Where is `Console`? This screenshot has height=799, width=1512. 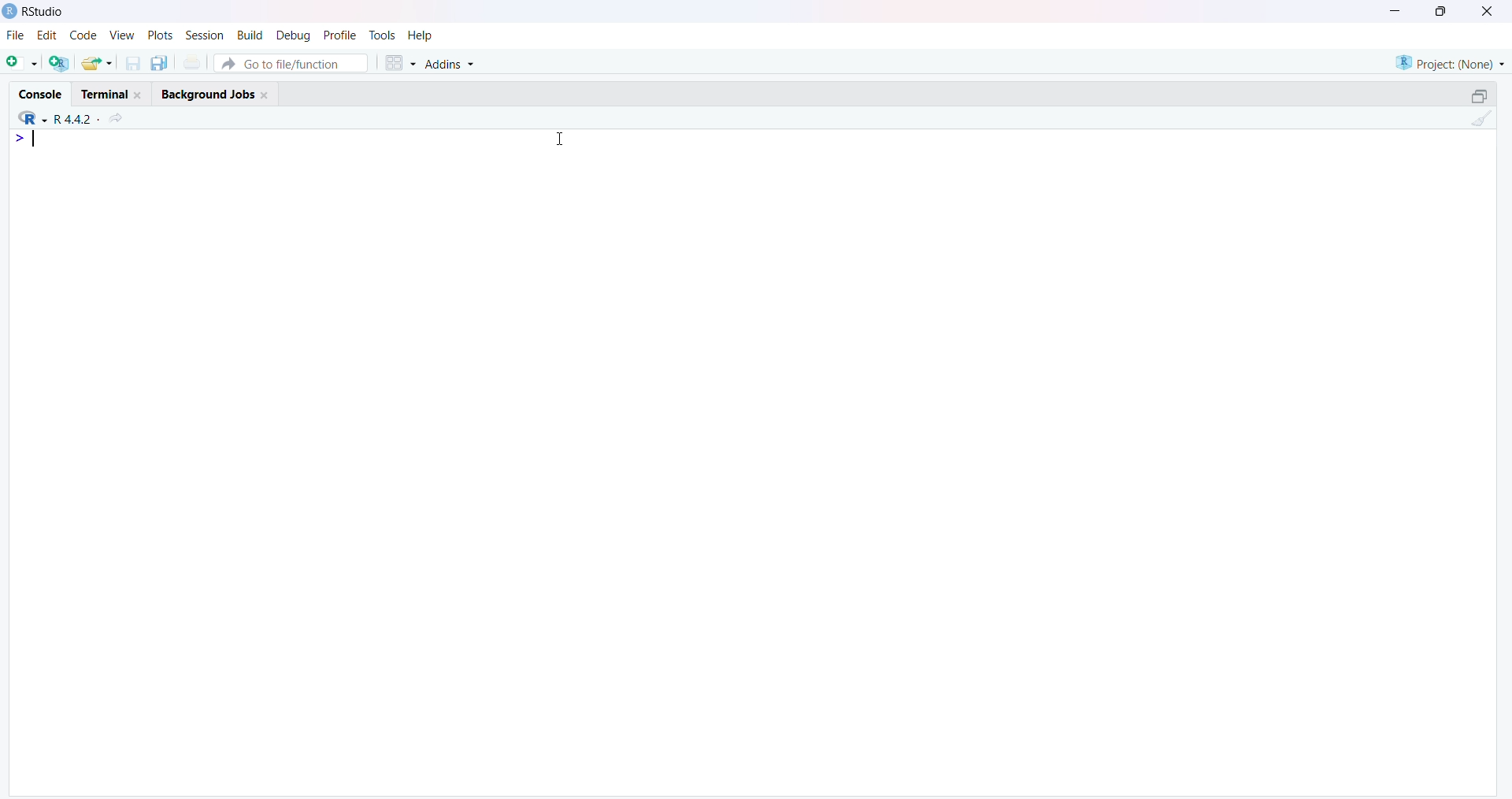
Console is located at coordinates (42, 91).